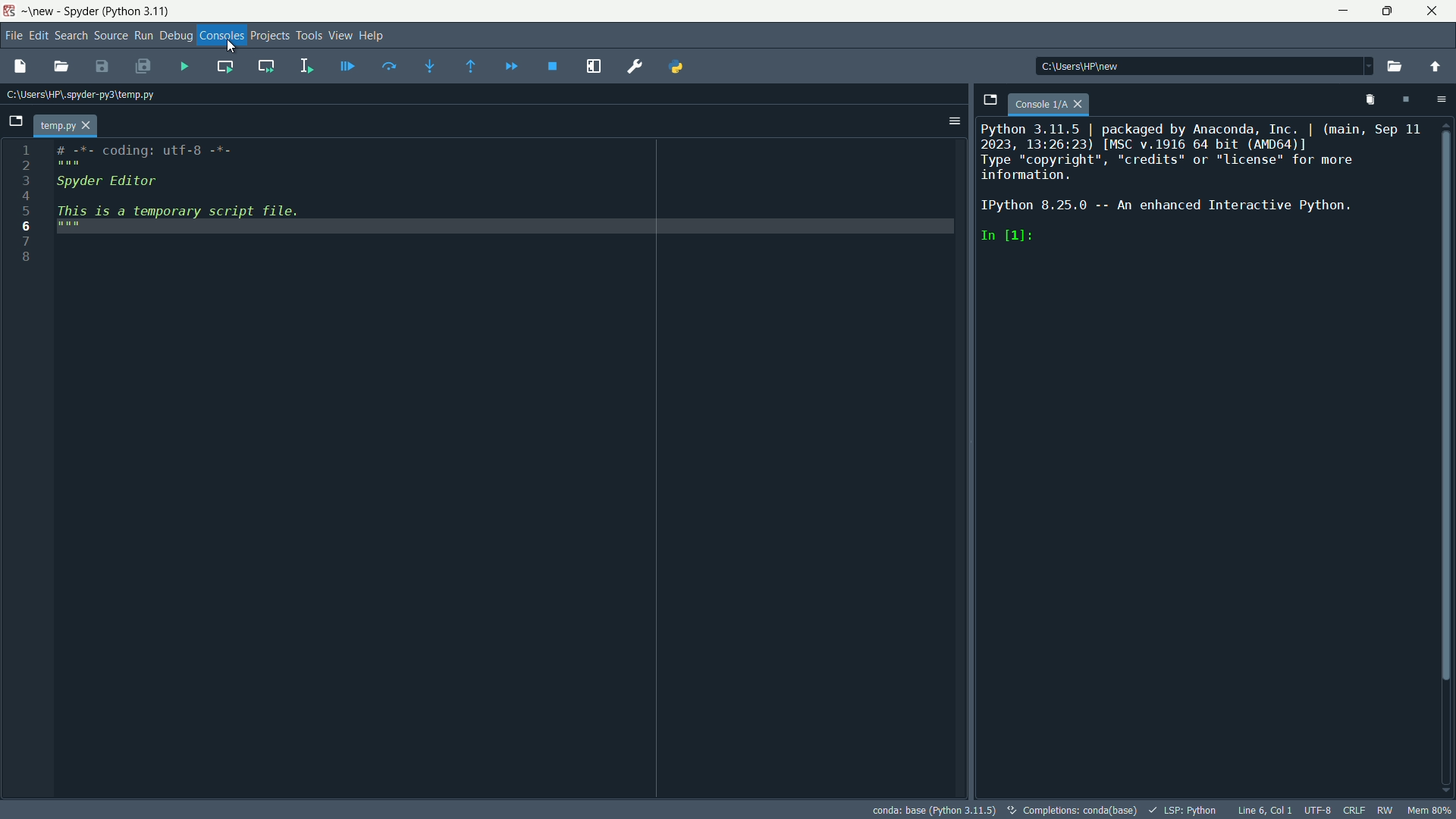 This screenshot has height=819, width=1456. I want to click on Current Path: c:\users\hp\.spyder-py3\temp.py, so click(86, 94).